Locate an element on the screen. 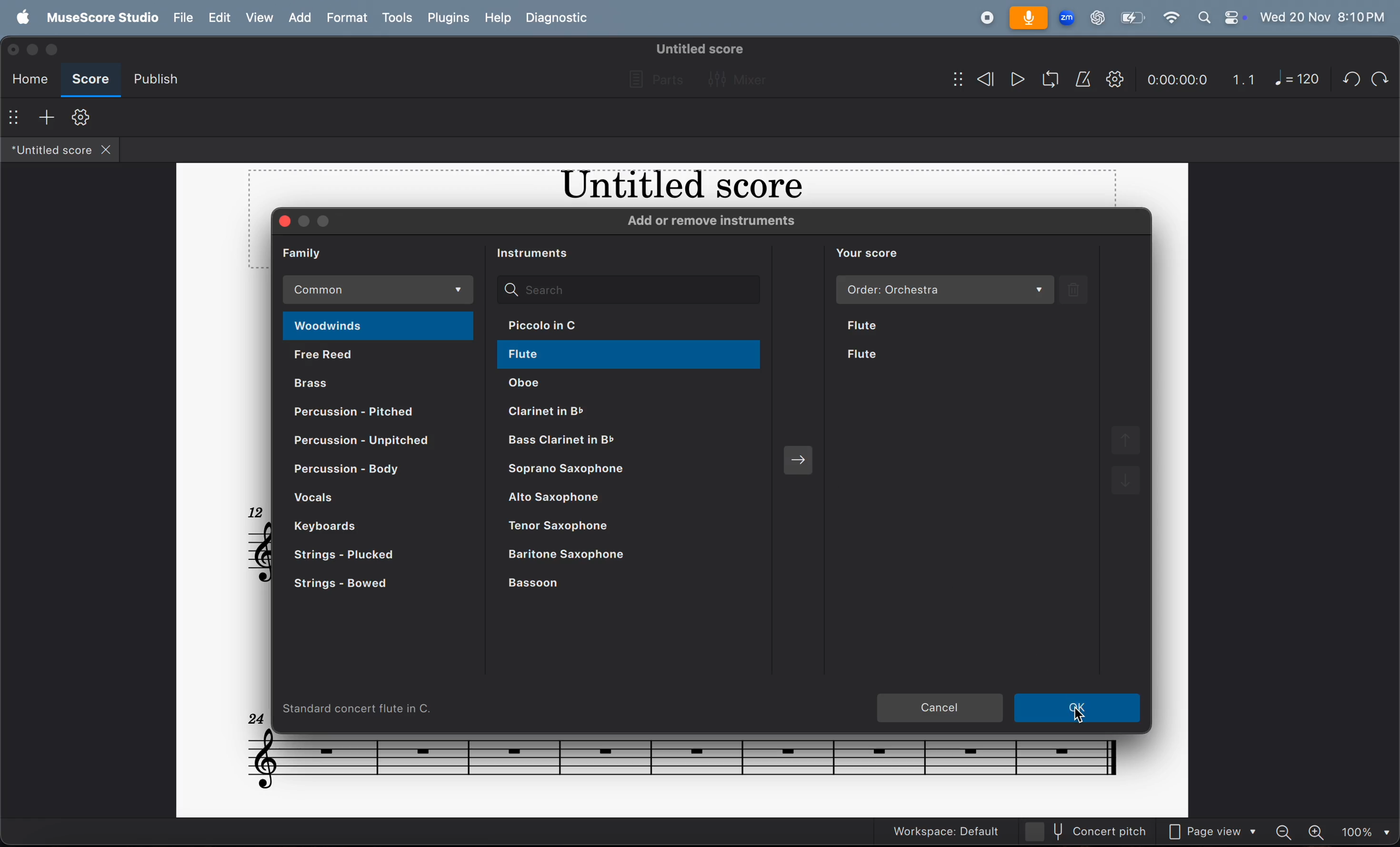 The image size is (1400, 847). strings bowed is located at coordinates (374, 583).